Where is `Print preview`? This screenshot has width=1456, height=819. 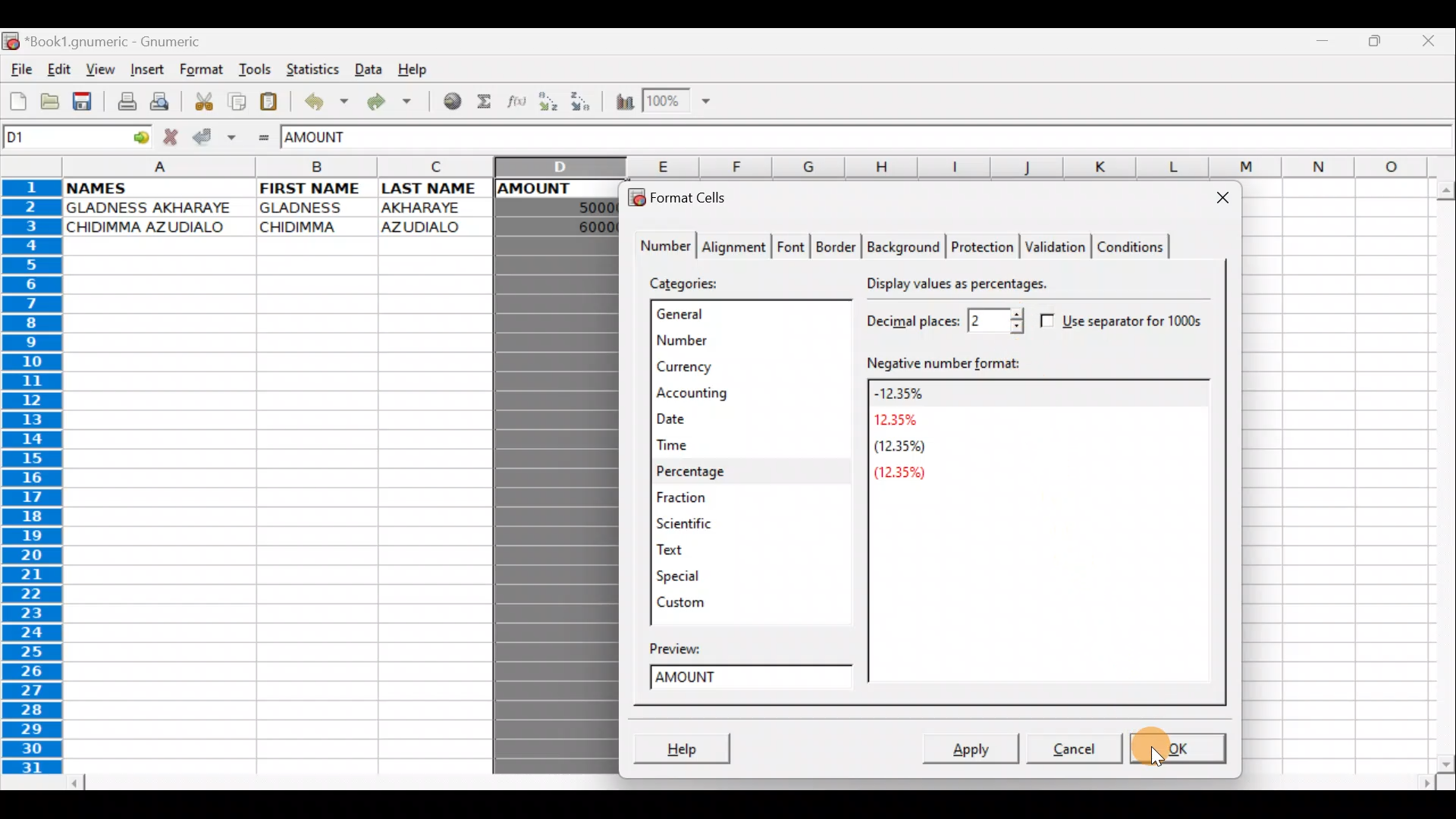
Print preview is located at coordinates (162, 101).